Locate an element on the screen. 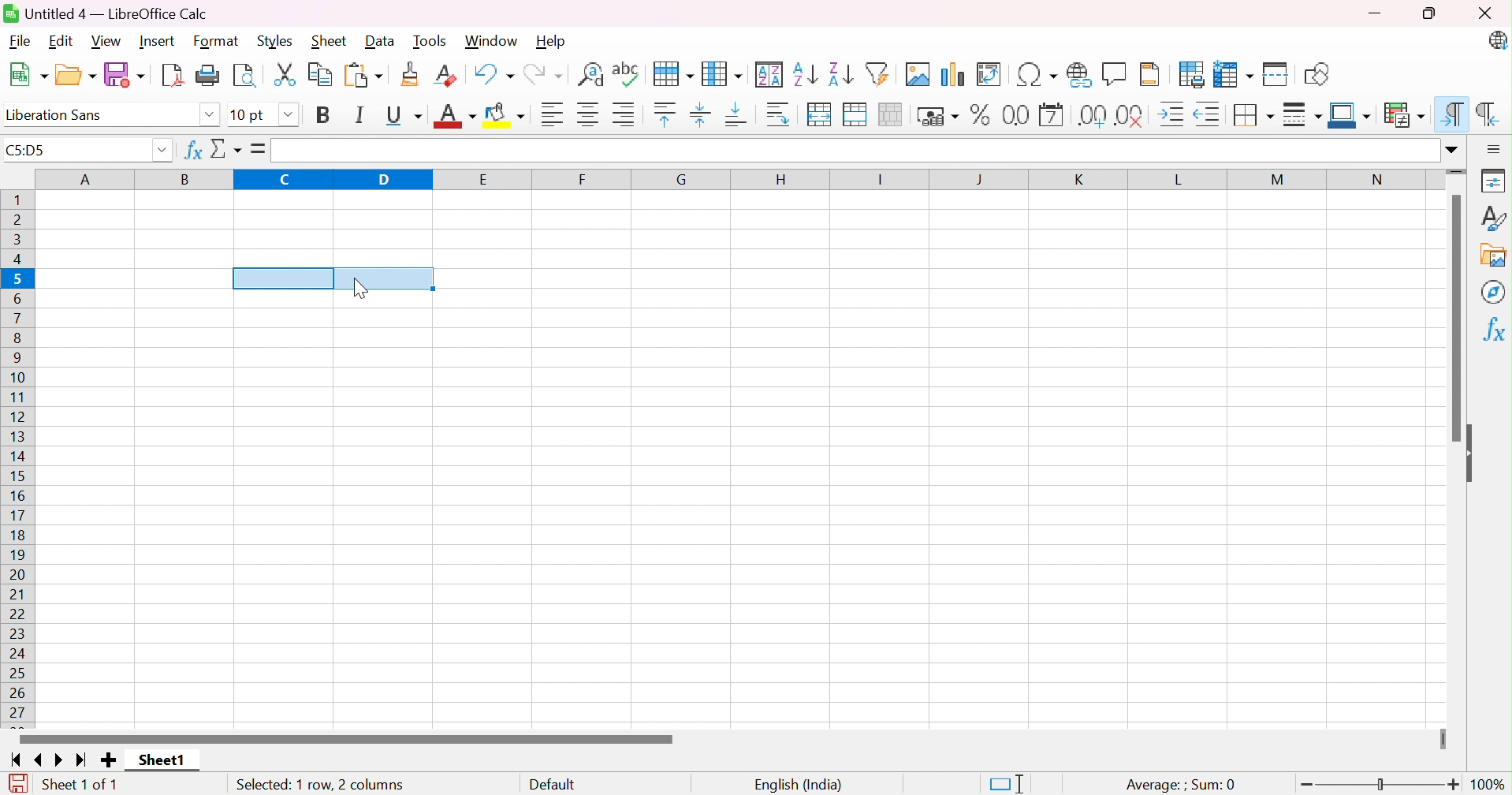 The width and height of the screenshot is (1512, 795). Insert Hyperlink is located at coordinates (1077, 74).